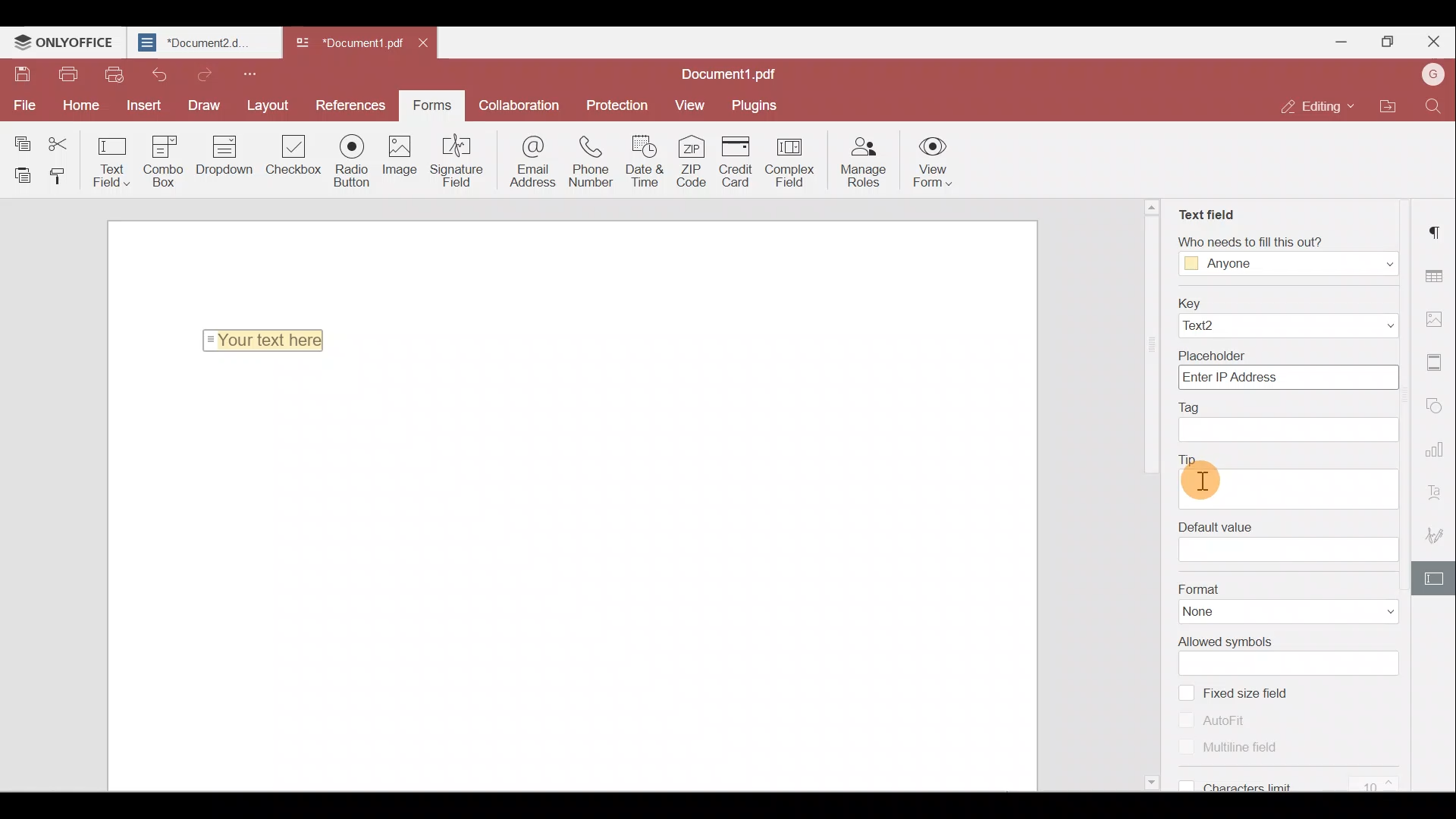  What do you see at coordinates (20, 73) in the screenshot?
I see `Save` at bounding box center [20, 73].